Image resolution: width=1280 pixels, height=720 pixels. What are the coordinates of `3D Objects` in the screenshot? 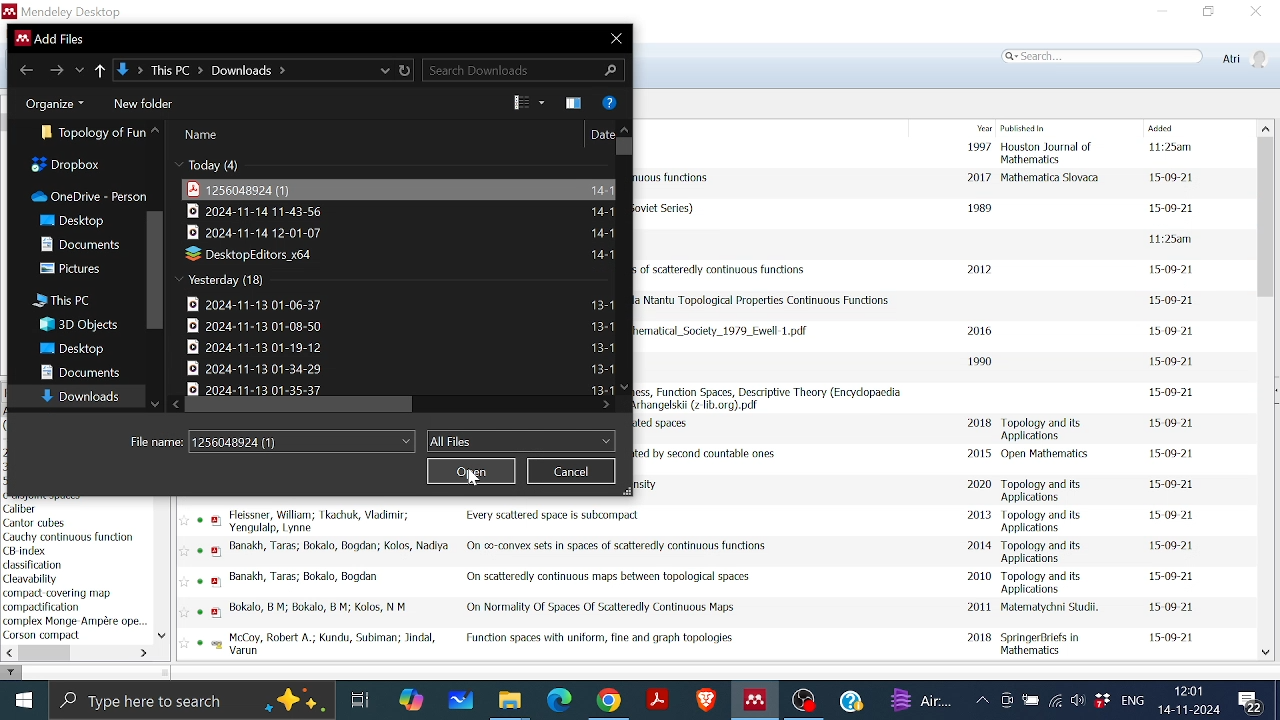 It's located at (80, 325).